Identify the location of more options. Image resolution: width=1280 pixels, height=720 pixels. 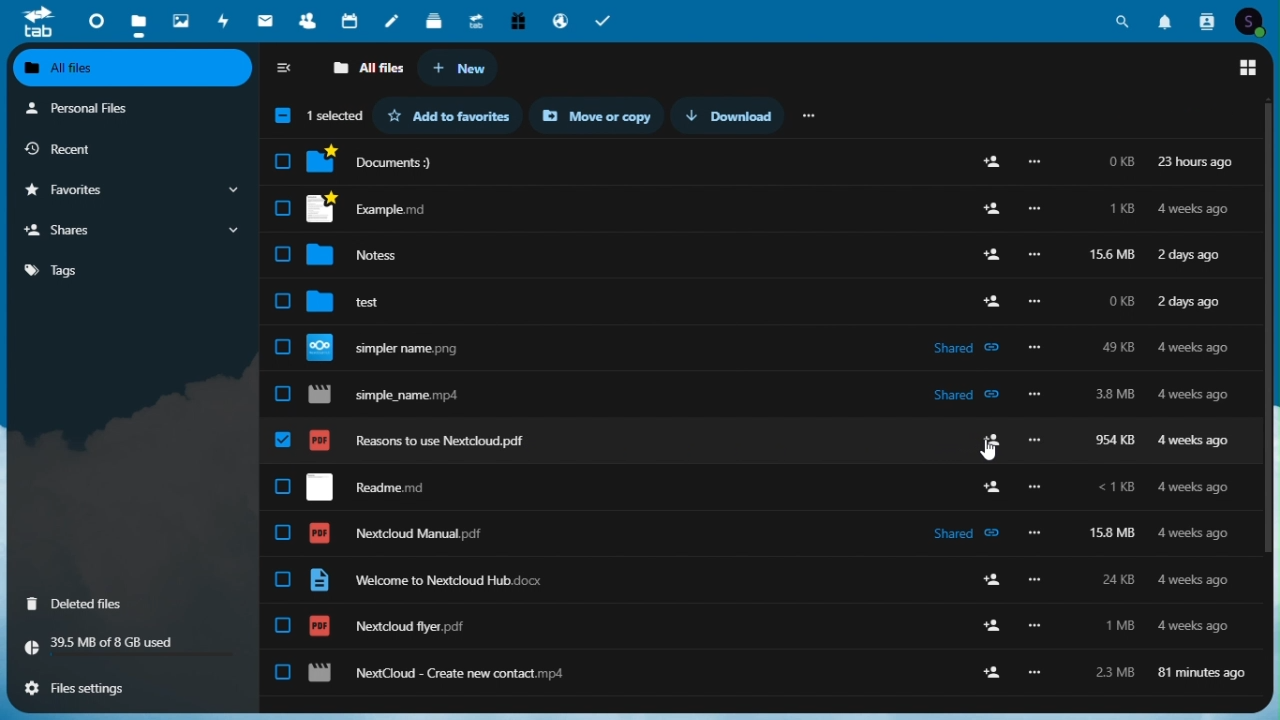
(1035, 210).